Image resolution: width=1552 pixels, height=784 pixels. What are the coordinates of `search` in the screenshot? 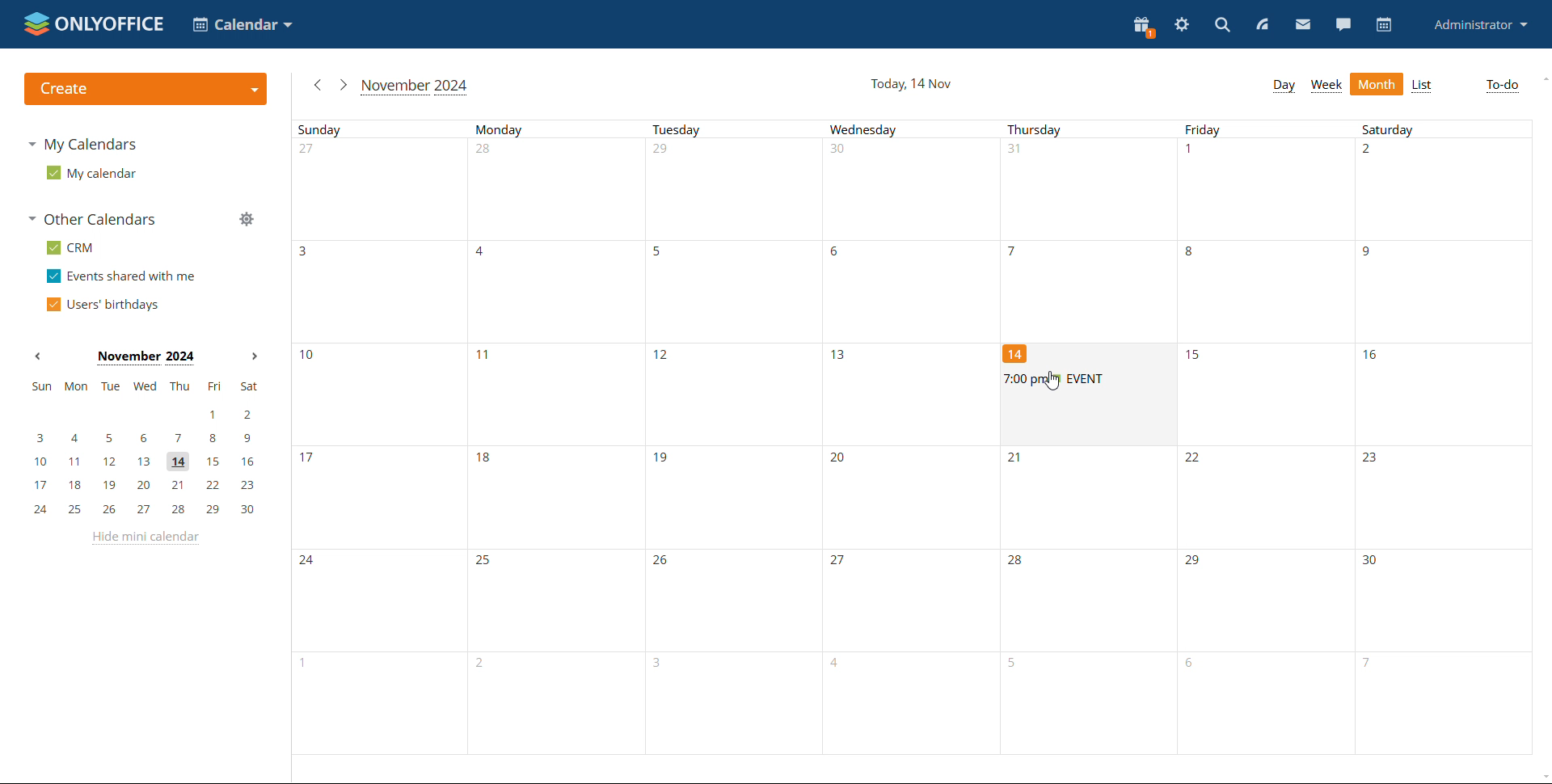 It's located at (1221, 25).